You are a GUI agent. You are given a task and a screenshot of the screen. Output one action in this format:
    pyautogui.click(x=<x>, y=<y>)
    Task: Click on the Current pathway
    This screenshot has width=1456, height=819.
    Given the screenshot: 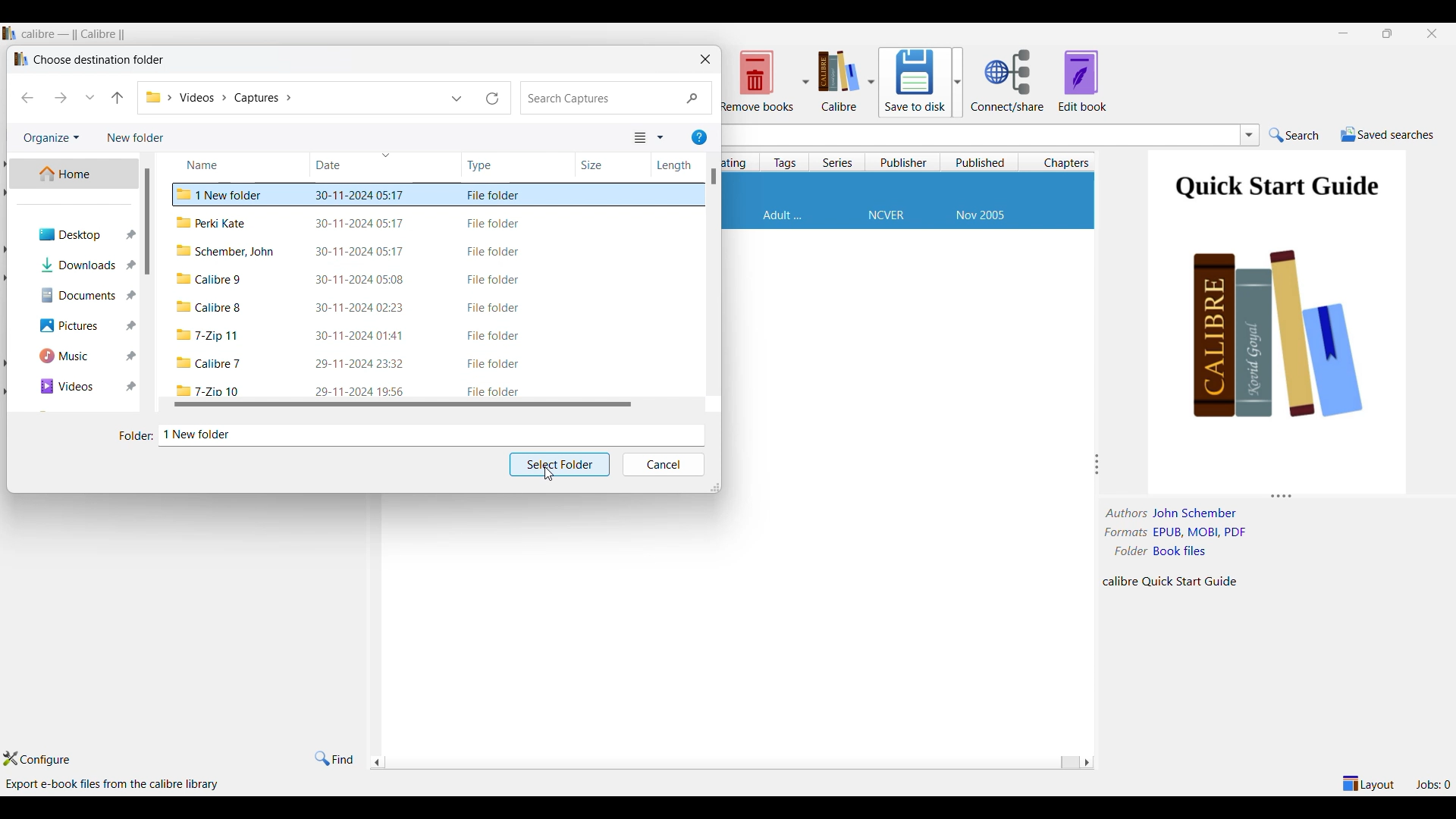 What is the action you would take?
    pyautogui.click(x=218, y=98)
    